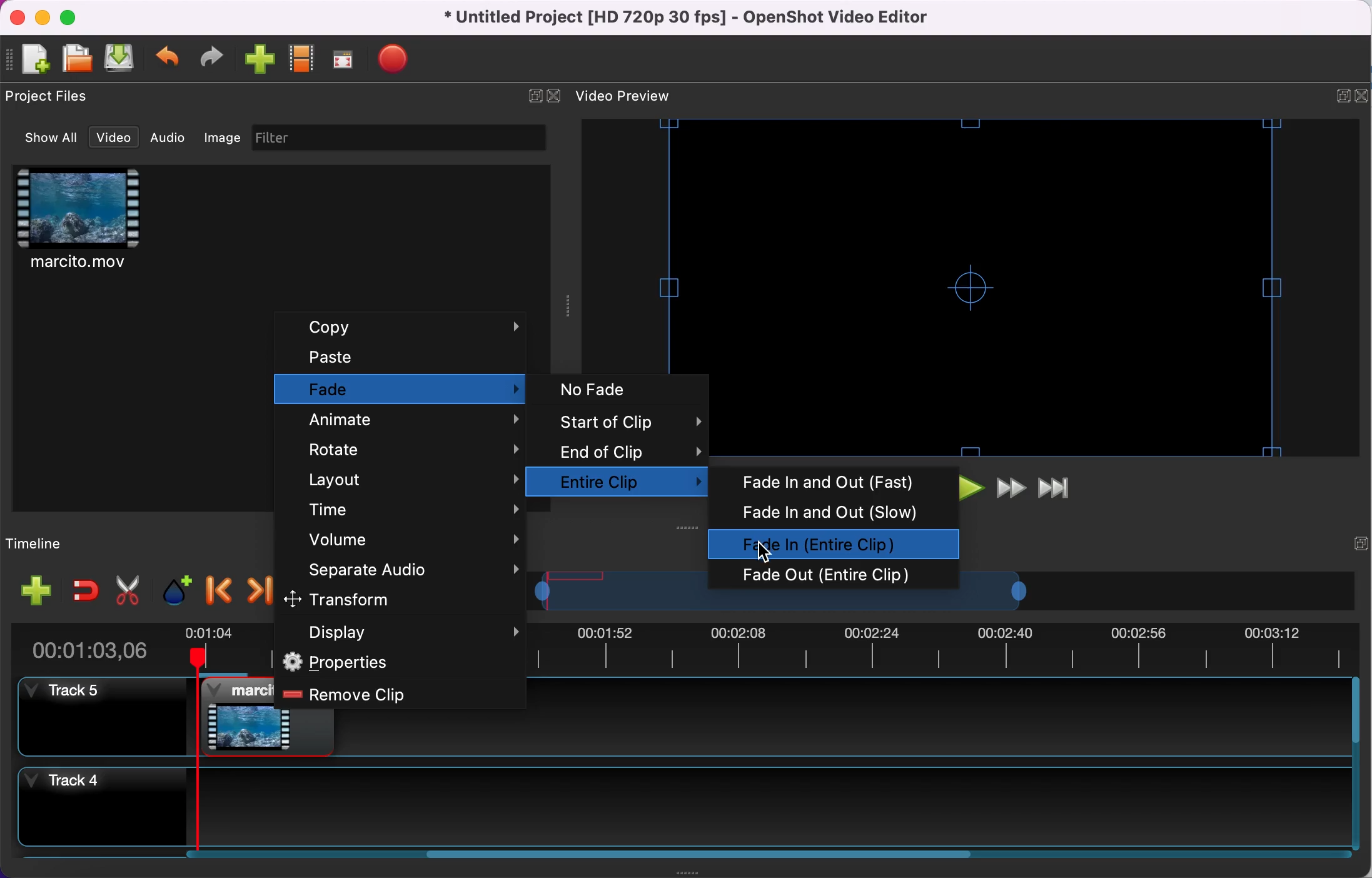 The width and height of the screenshot is (1372, 878). I want to click on fade, so click(401, 391).